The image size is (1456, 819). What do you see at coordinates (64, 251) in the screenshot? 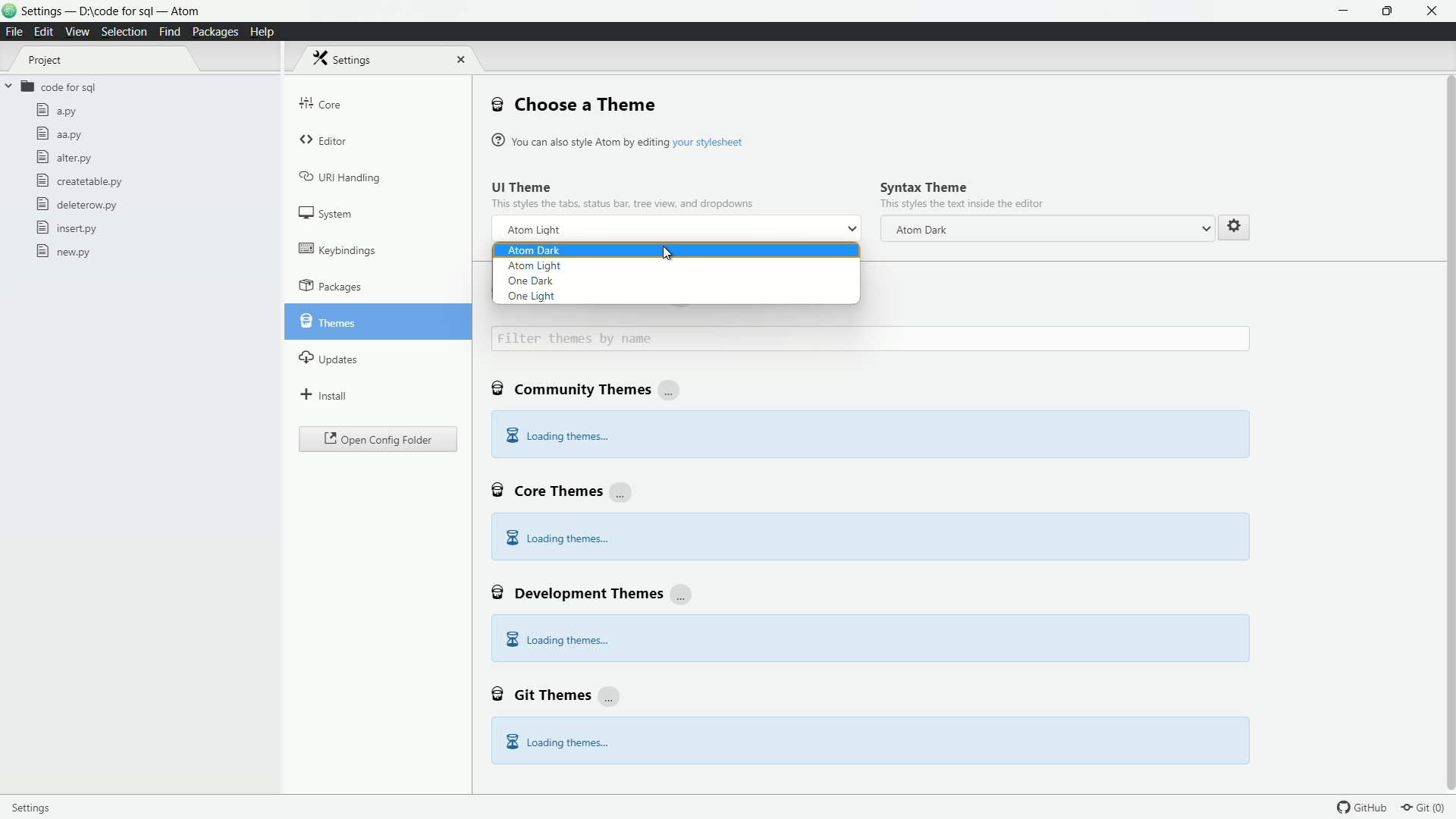
I see `new.py file` at bounding box center [64, 251].